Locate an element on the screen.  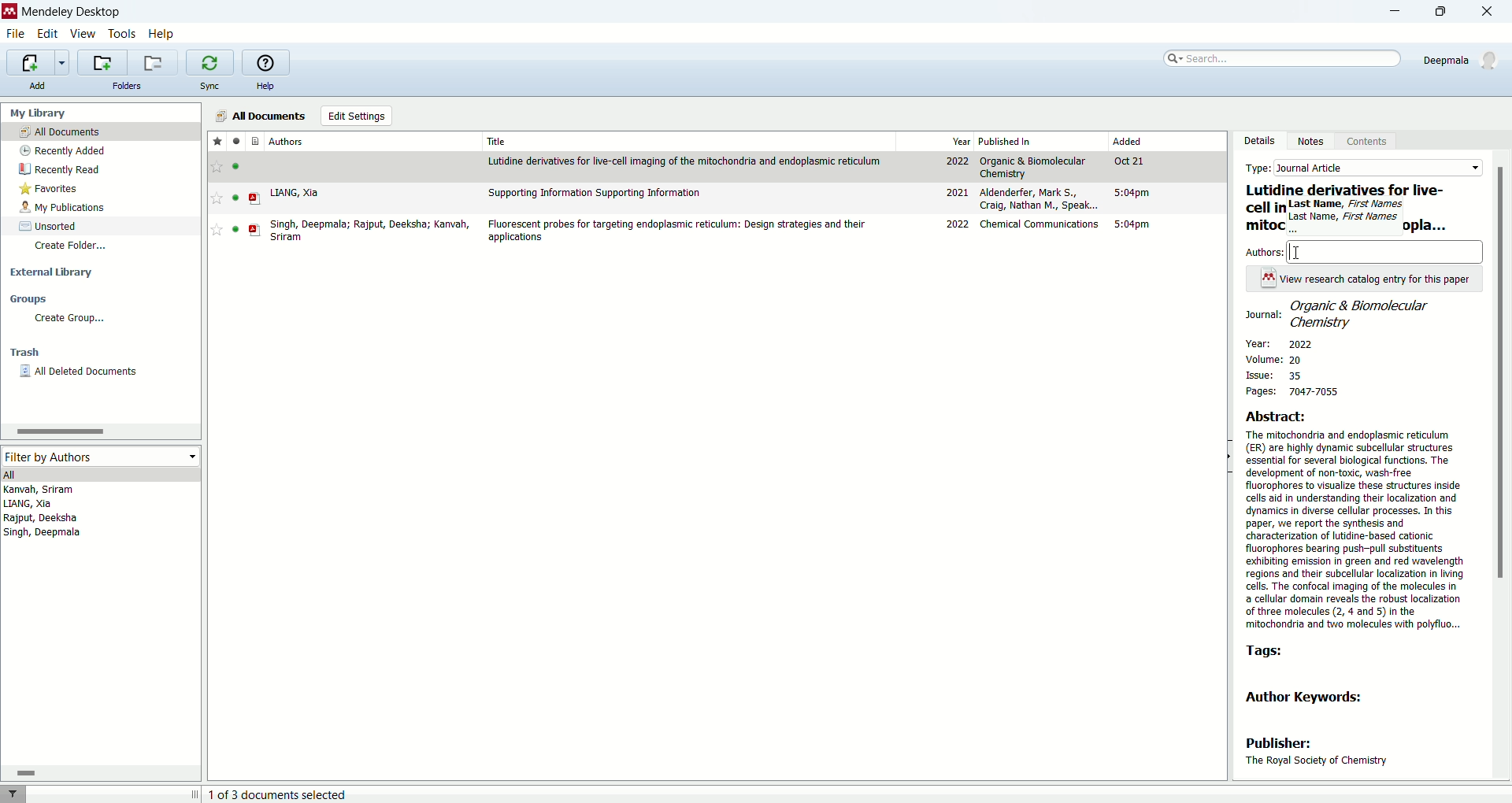
documents type is located at coordinates (255, 141).